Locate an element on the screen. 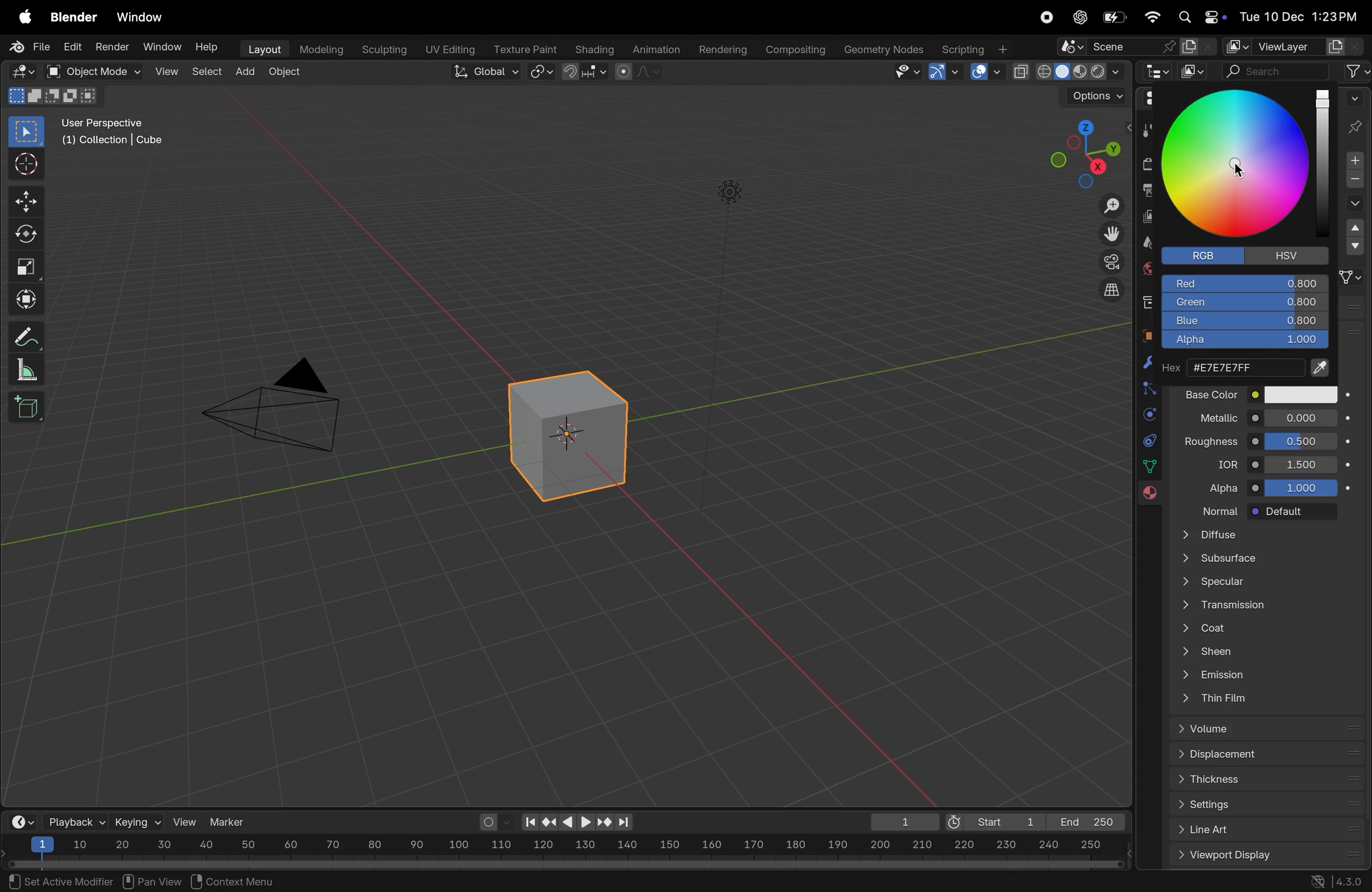 The width and height of the screenshot is (1372, 892). light is located at coordinates (730, 190).